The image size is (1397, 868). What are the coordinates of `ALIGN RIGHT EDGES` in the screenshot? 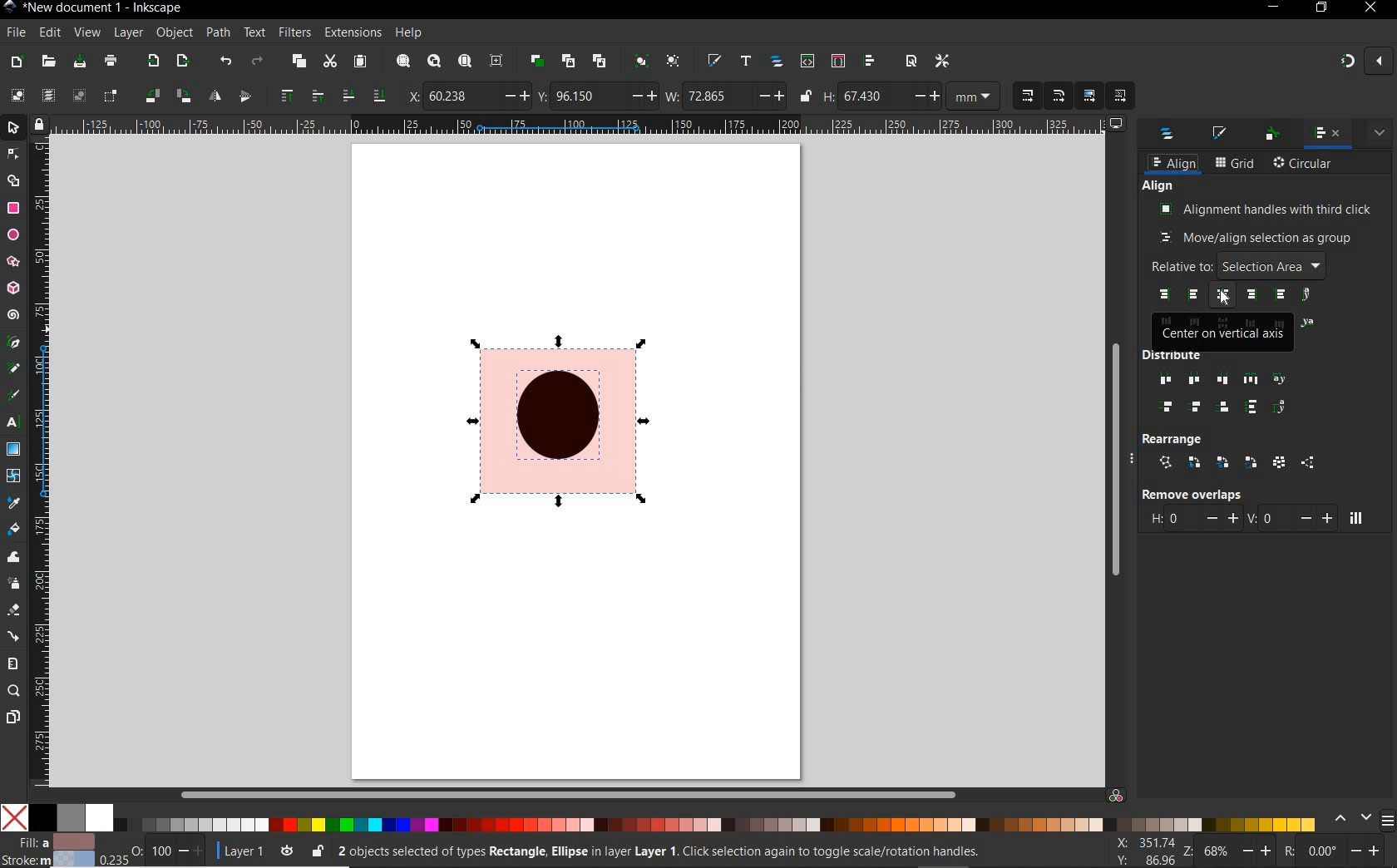 It's located at (1251, 295).